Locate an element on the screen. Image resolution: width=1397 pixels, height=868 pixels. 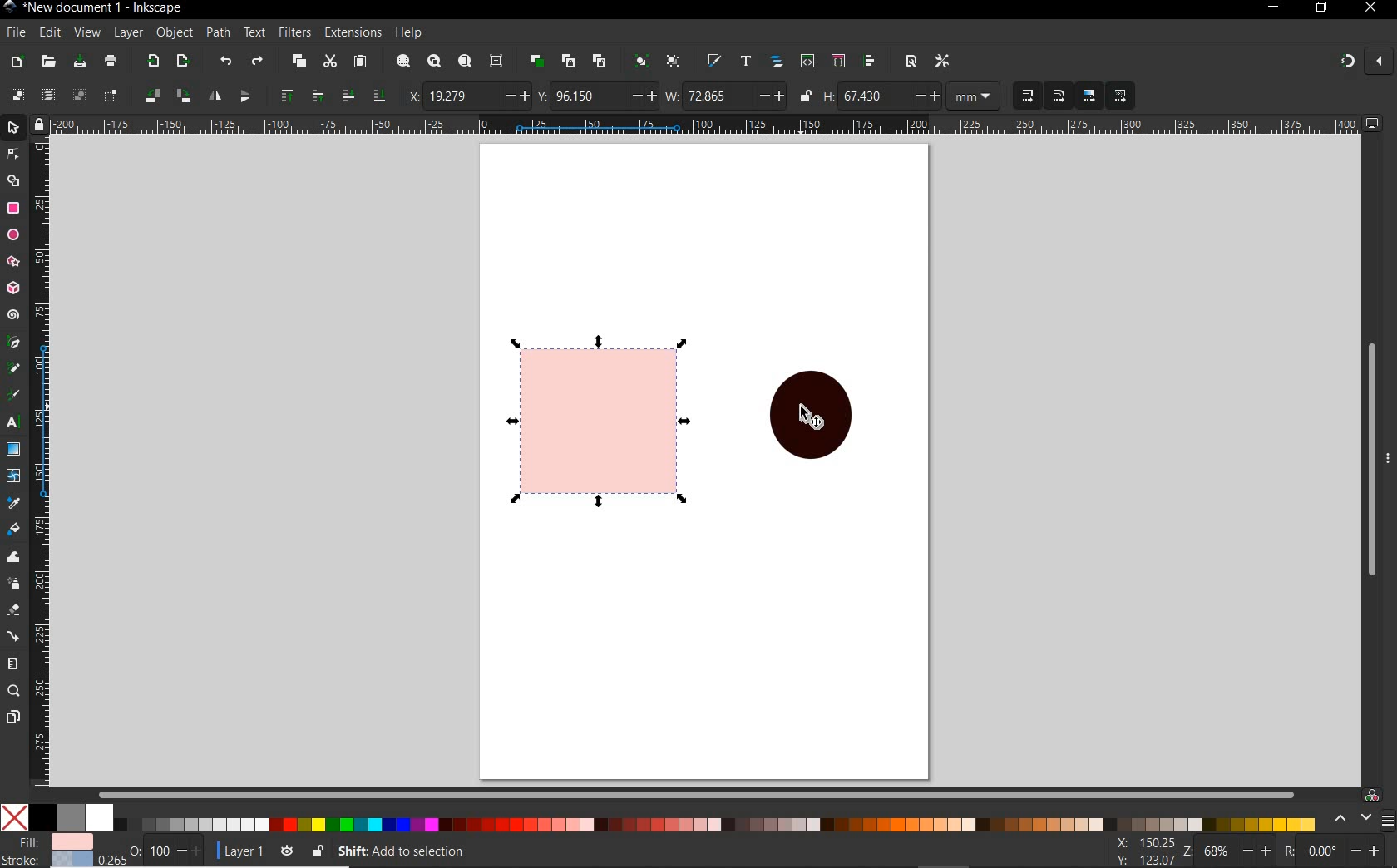
lower to bottom is located at coordinates (378, 94).